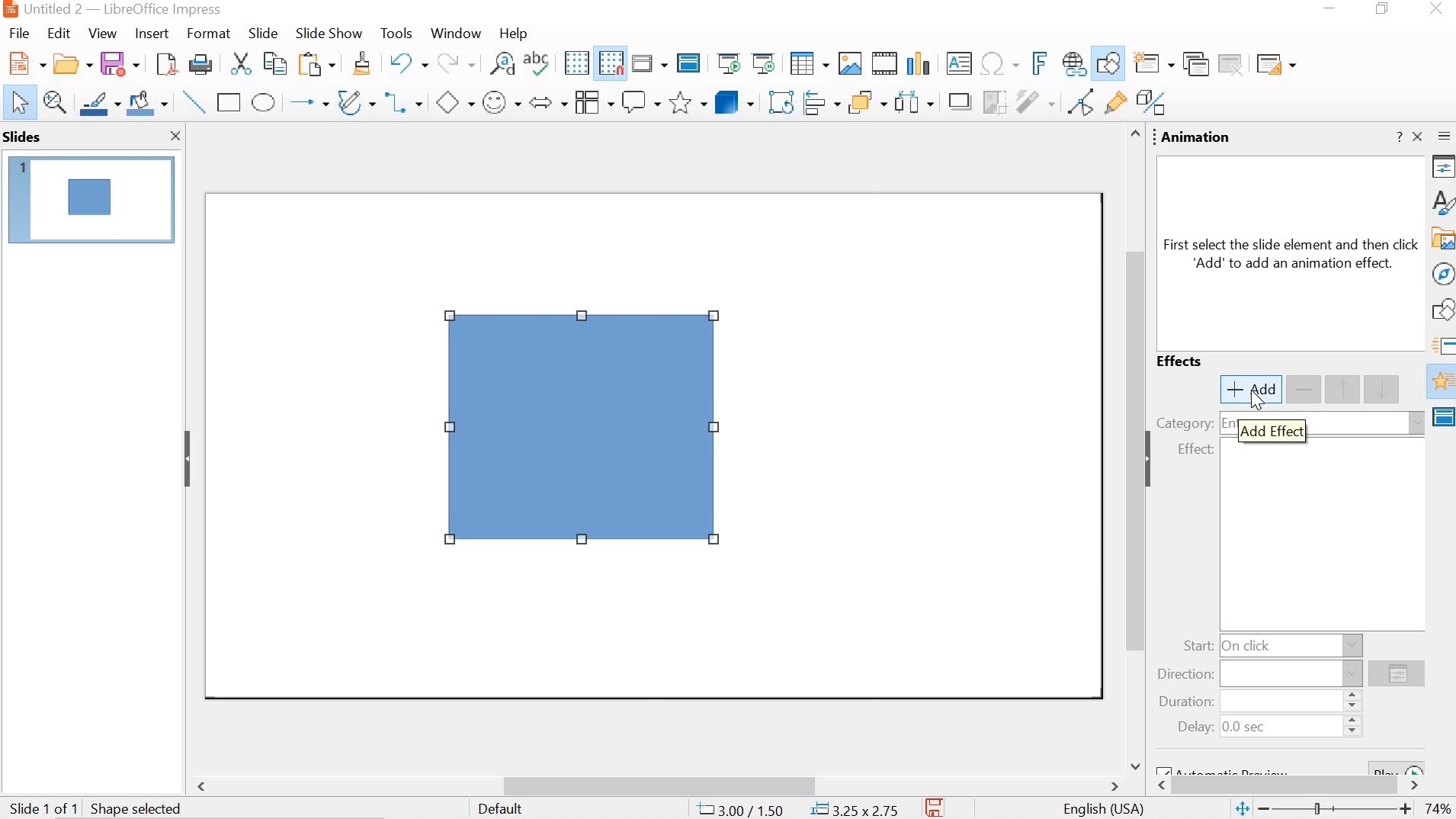 This screenshot has width=1456, height=819. Describe the element at coordinates (1232, 66) in the screenshot. I see `delete slide` at that location.